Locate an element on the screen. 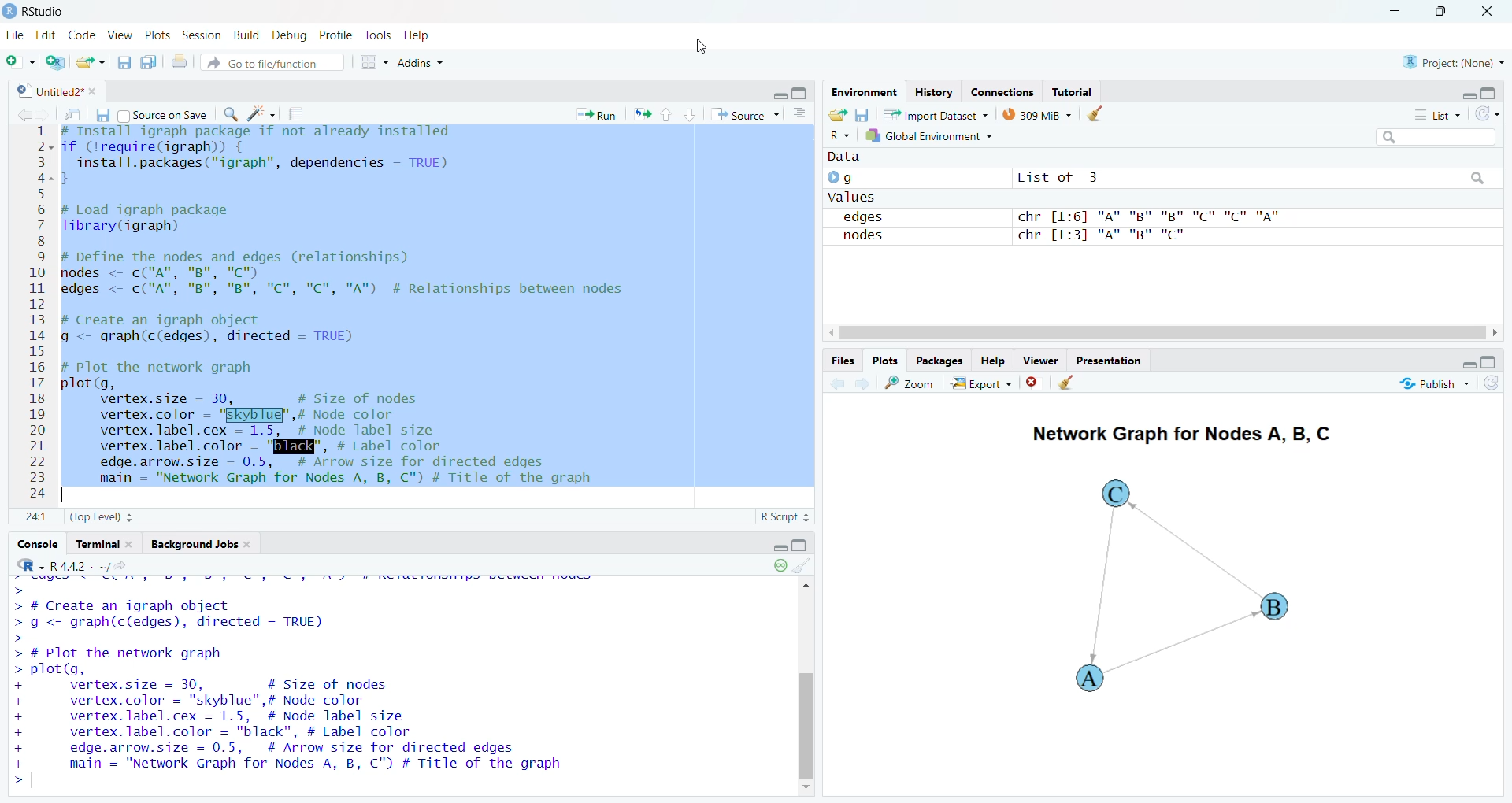 This screenshot has width=1512, height=803. refresh is located at coordinates (1489, 385).